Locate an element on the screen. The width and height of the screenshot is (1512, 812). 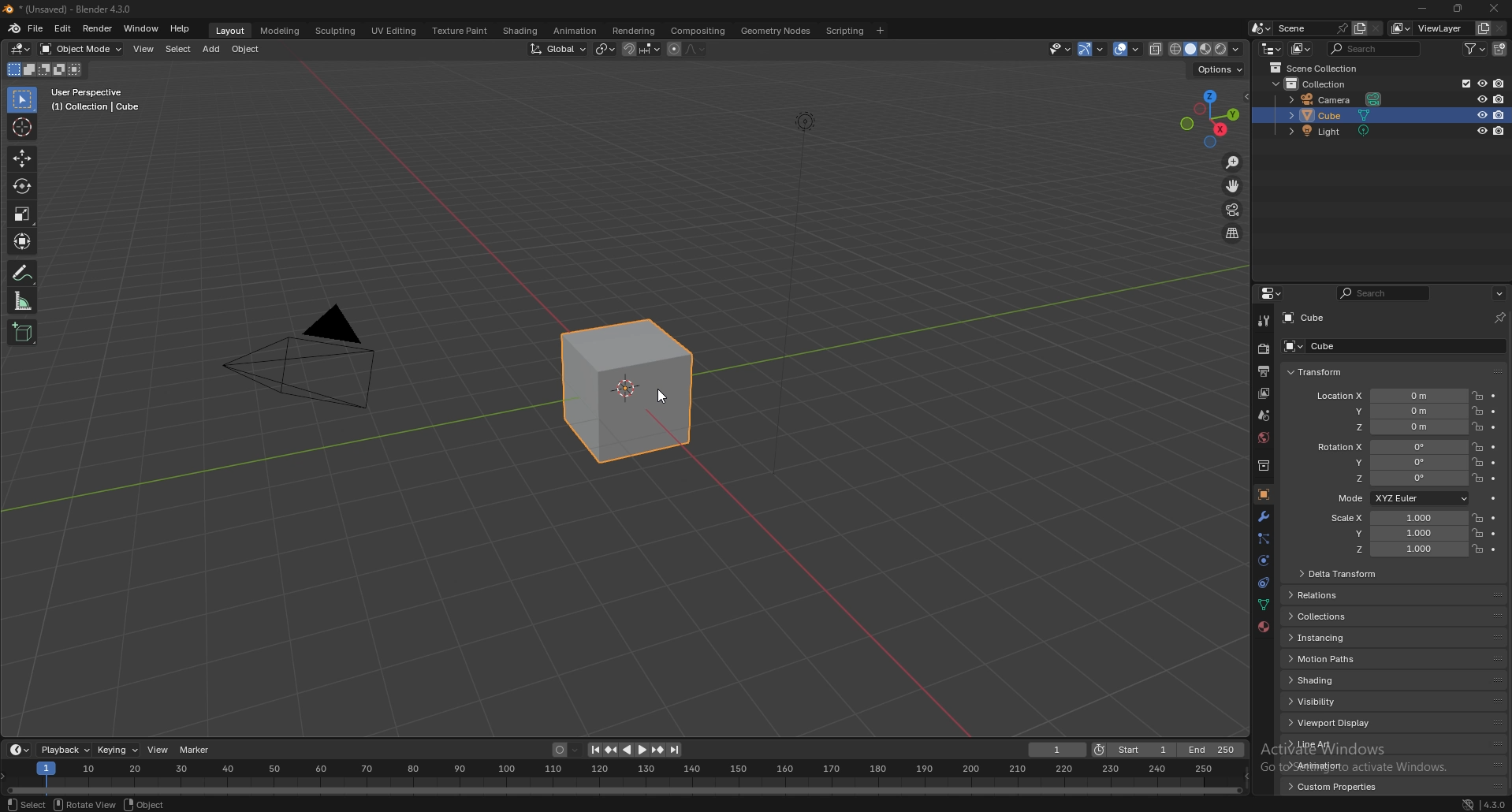
modeling is located at coordinates (281, 31).